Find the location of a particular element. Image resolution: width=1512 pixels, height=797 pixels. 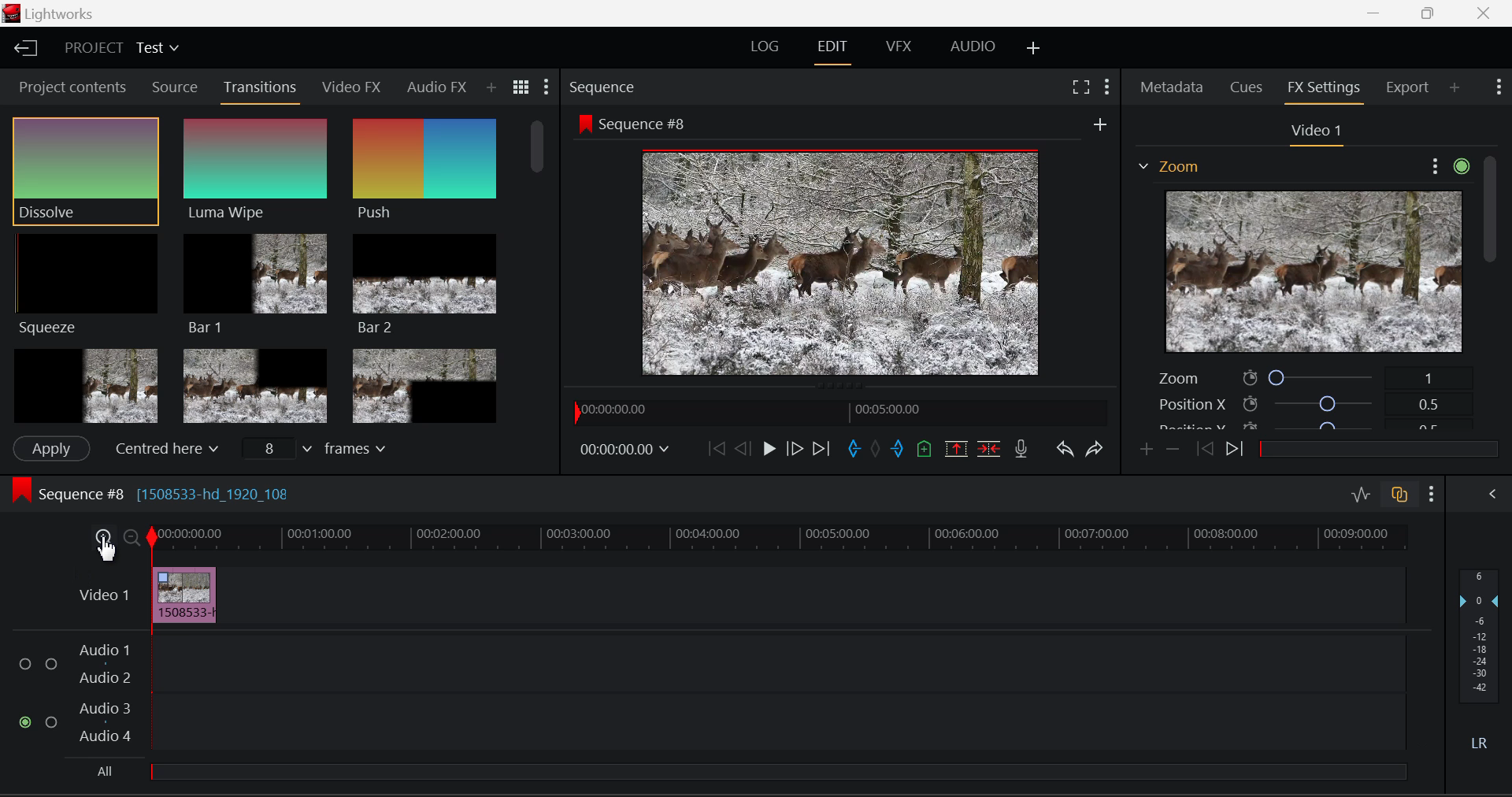

VFX Layout is located at coordinates (899, 44).